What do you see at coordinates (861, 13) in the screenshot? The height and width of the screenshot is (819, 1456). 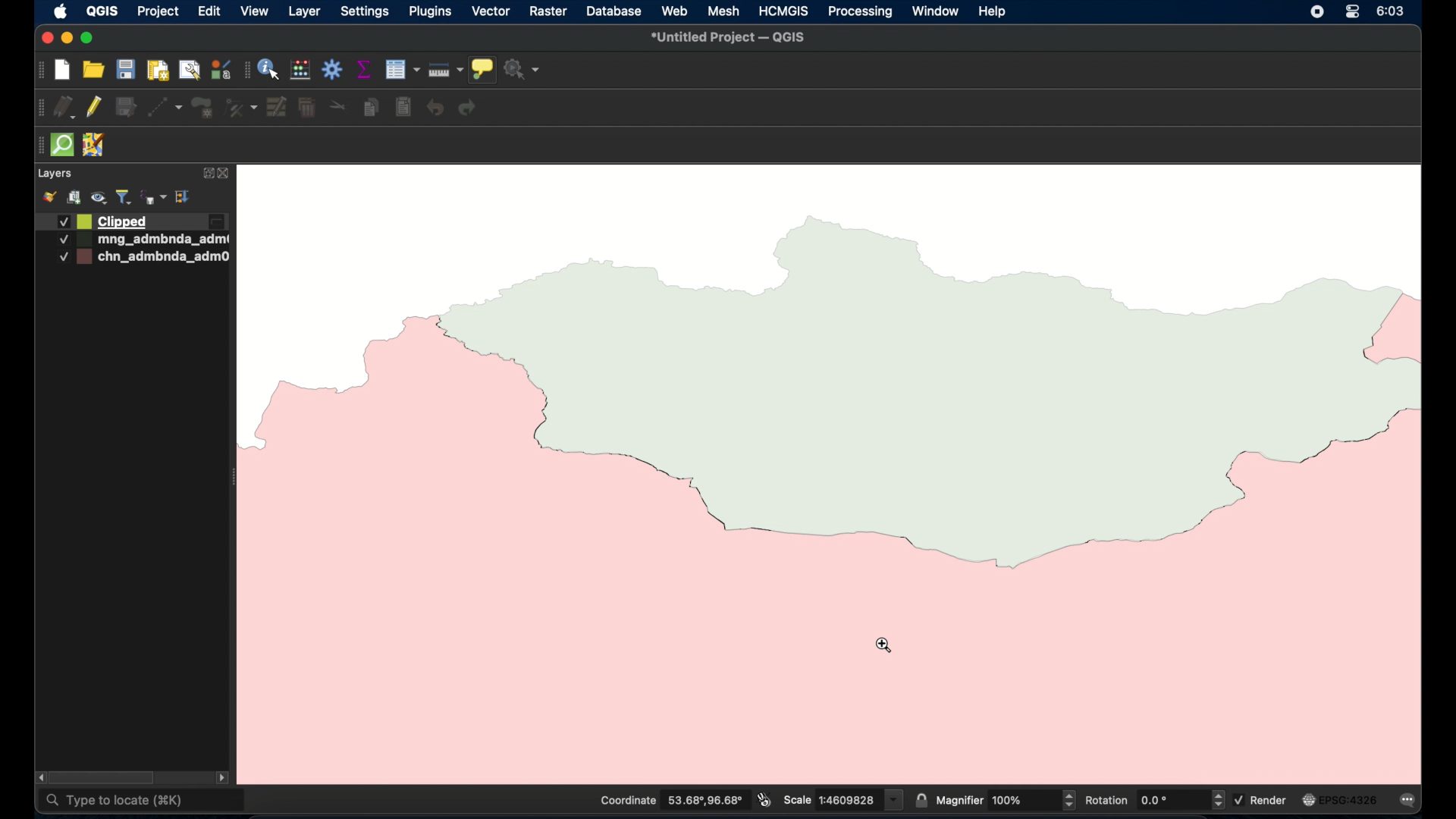 I see `processing` at bounding box center [861, 13].